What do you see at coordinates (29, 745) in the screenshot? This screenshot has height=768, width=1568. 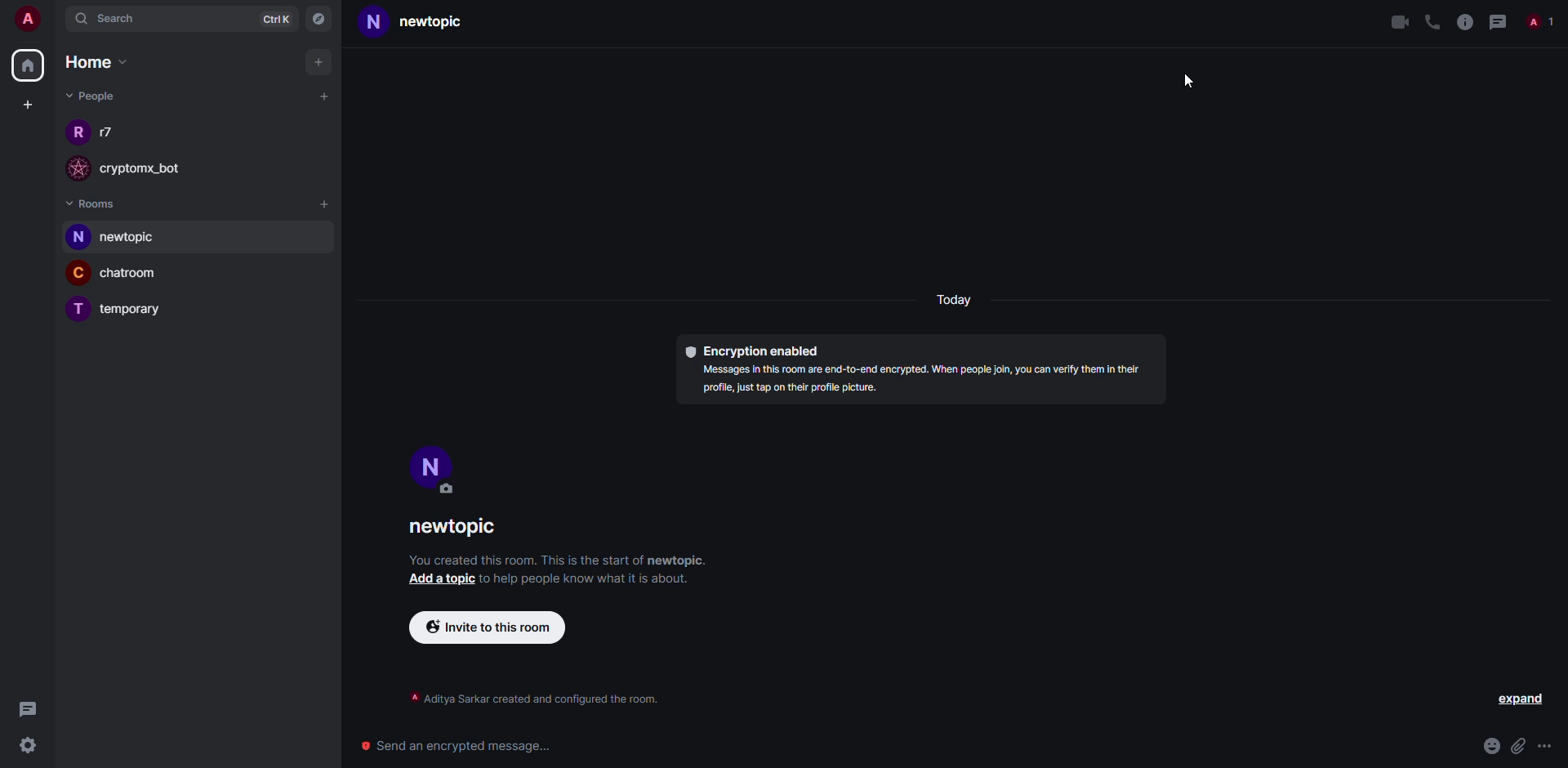 I see `settings` at bounding box center [29, 745].